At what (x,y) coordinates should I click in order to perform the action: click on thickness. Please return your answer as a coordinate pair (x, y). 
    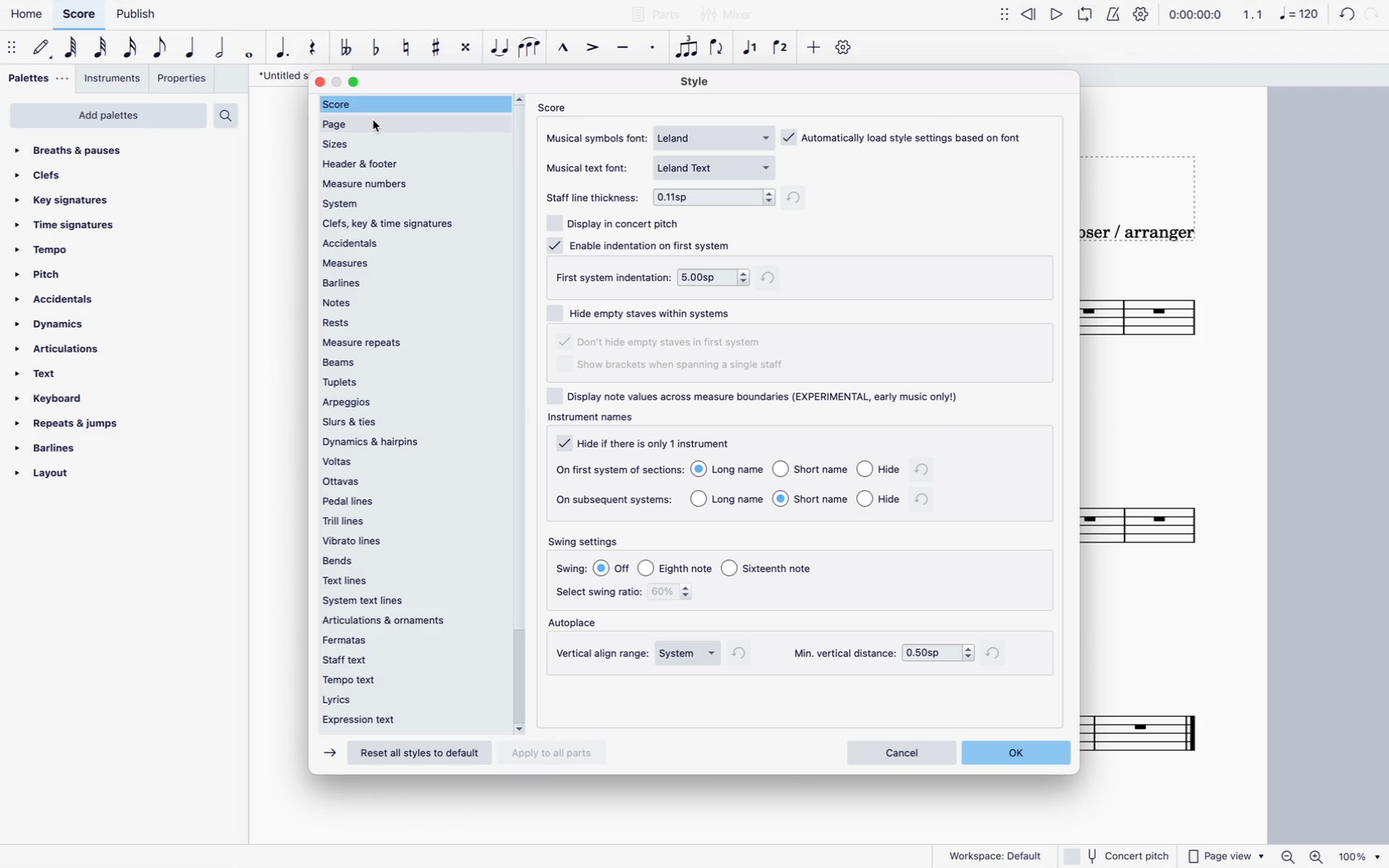
    Looking at the image, I should click on (716, 198).